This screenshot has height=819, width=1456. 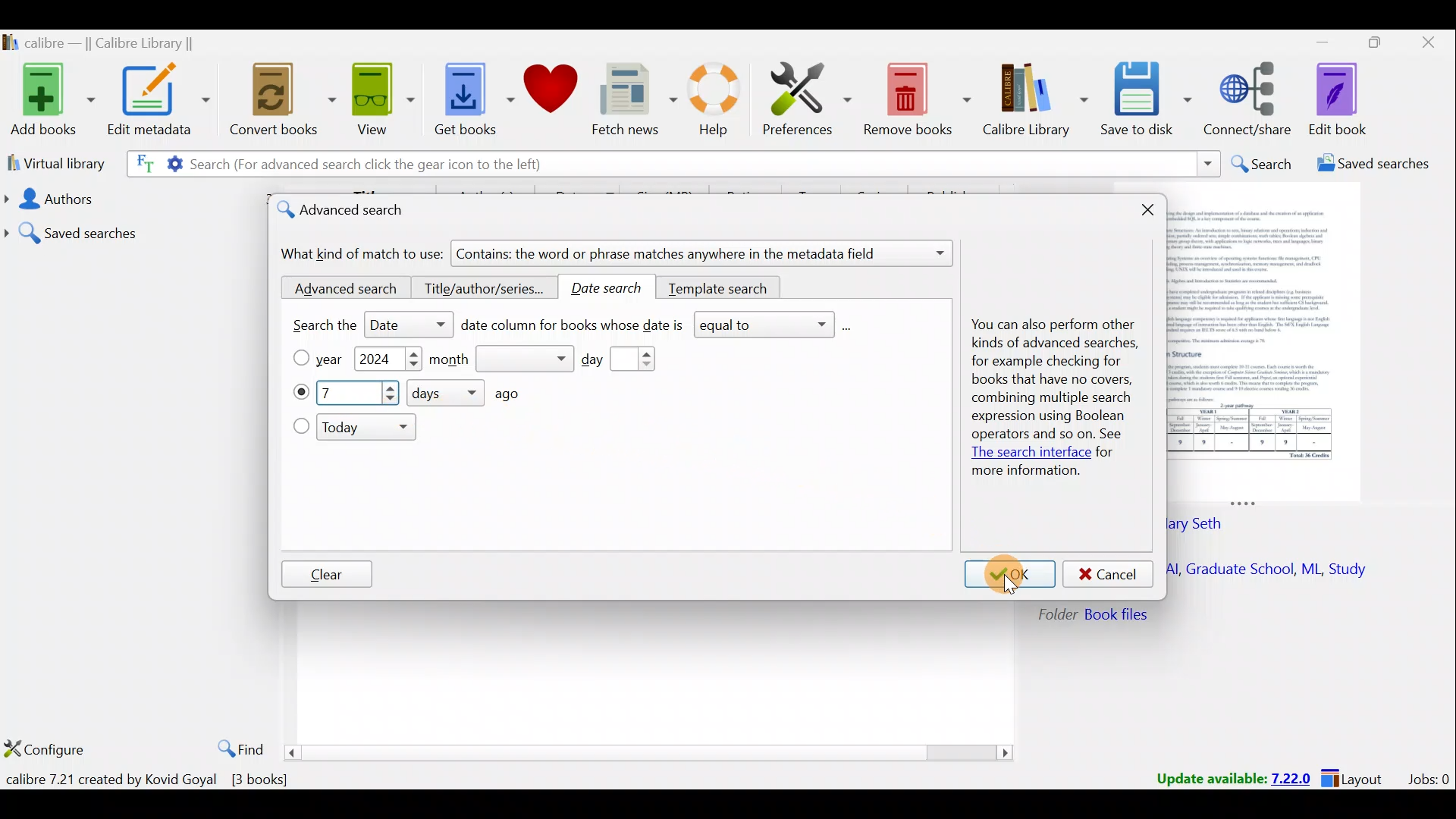 What do you see at coordinates (300, 358) in the screenshot?
I see `Year checkbox` at bounding box center [300, 358].